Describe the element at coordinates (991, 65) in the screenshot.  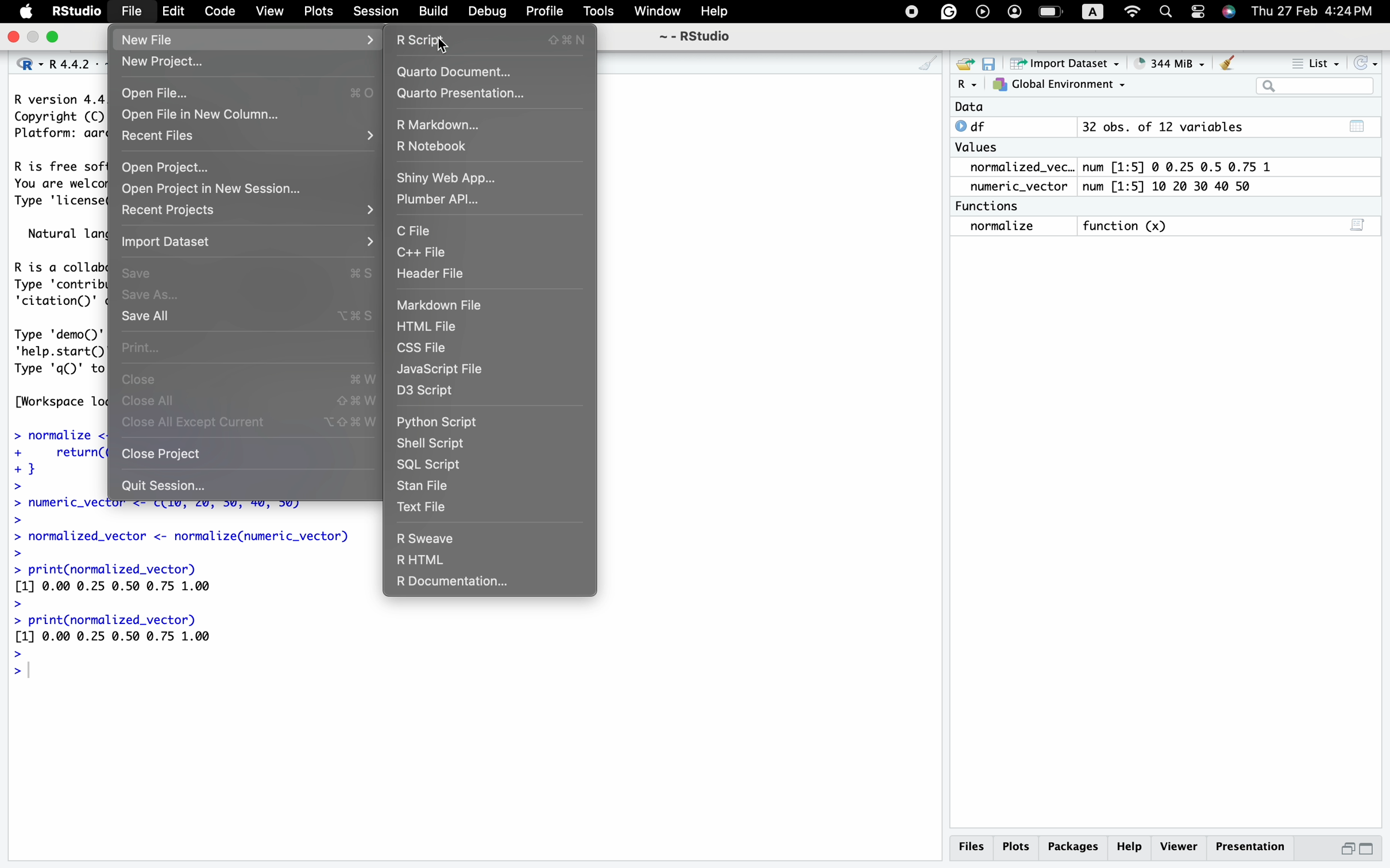
I see `save` at that location.